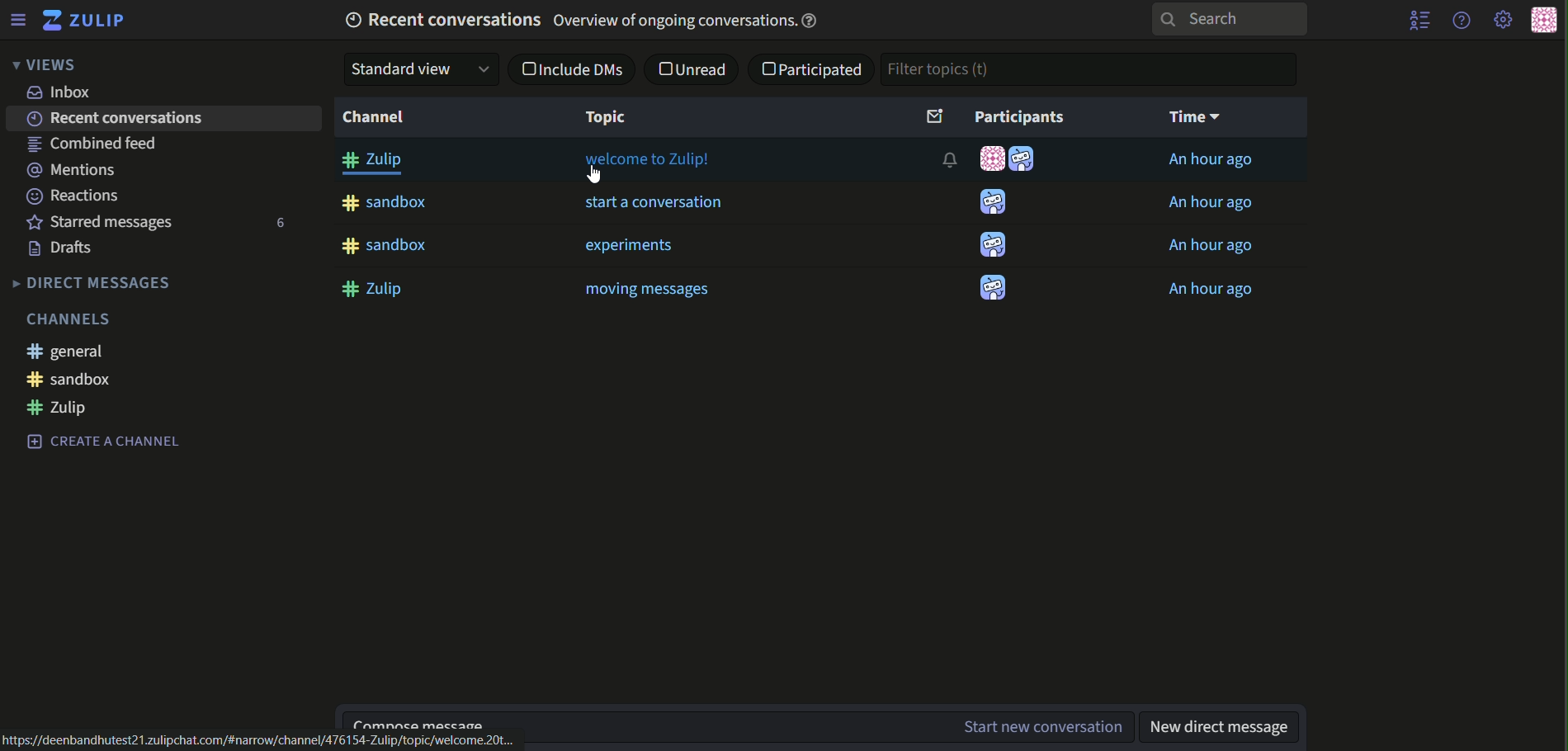 The height and width of the screenshot is (751, 1568). Describe the element at coordinates (42, 64) in the screenshot. I see `views` at that location.